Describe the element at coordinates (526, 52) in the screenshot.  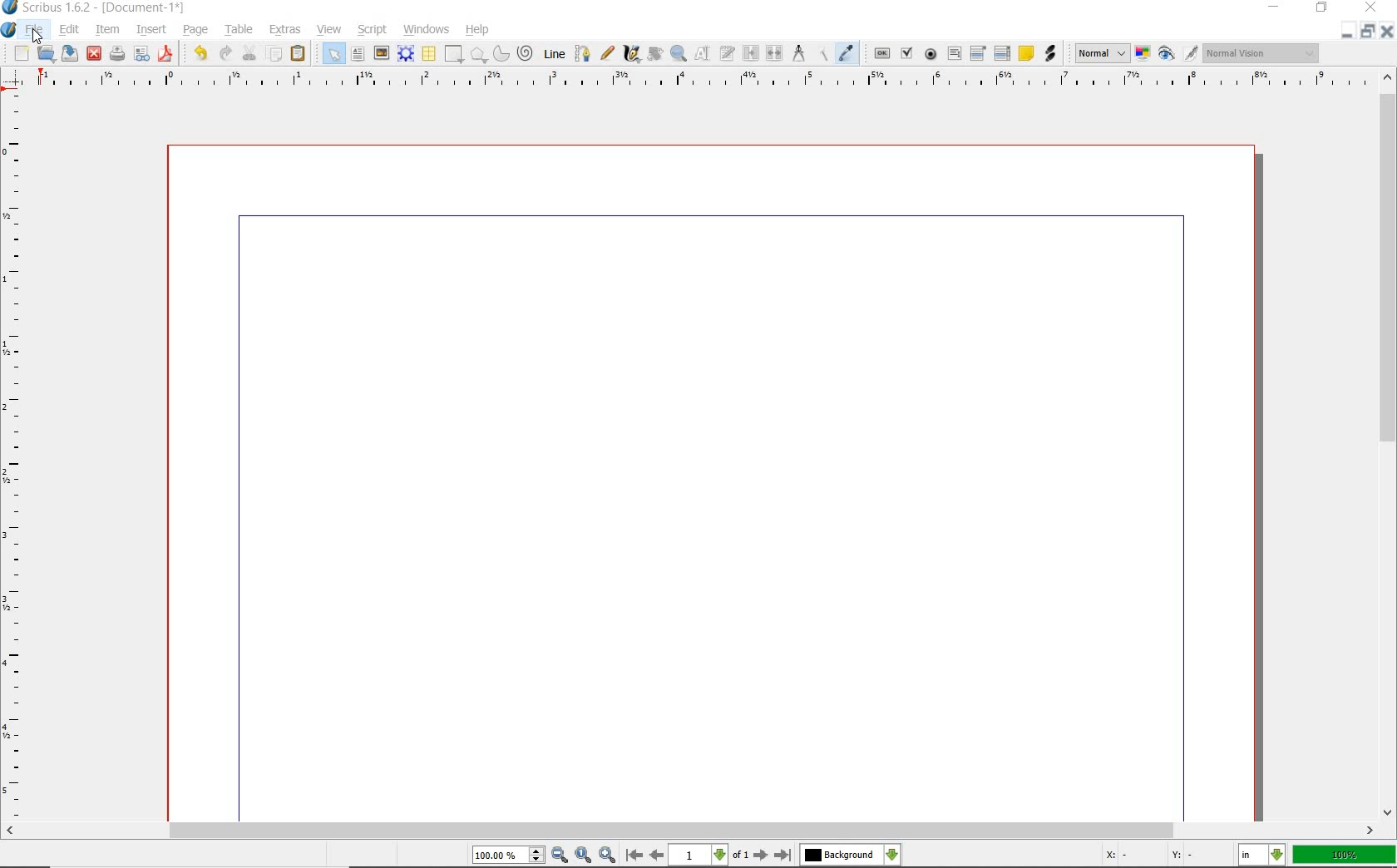
I see `spiral` at that location.